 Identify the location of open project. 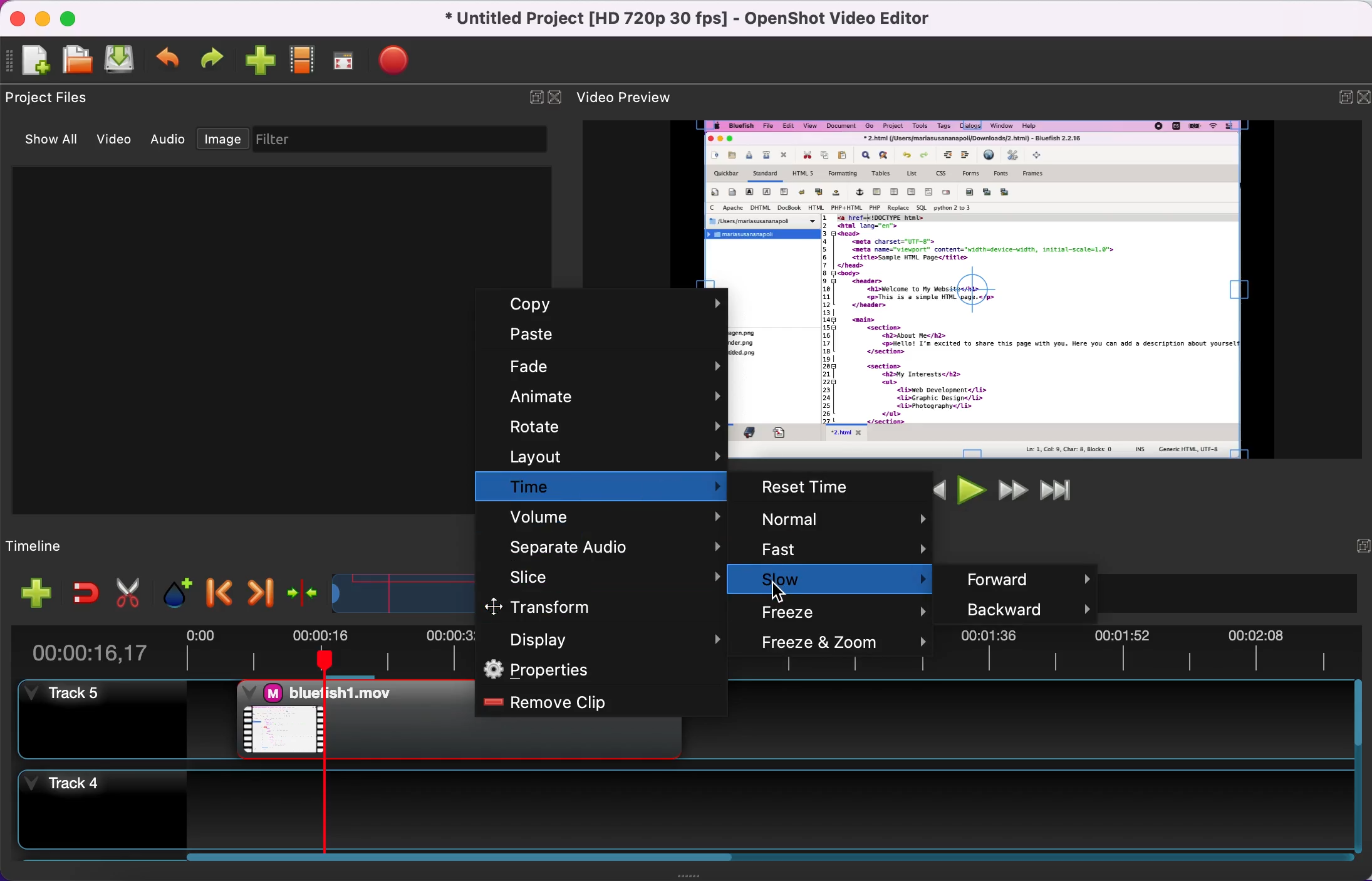
(80, 61).